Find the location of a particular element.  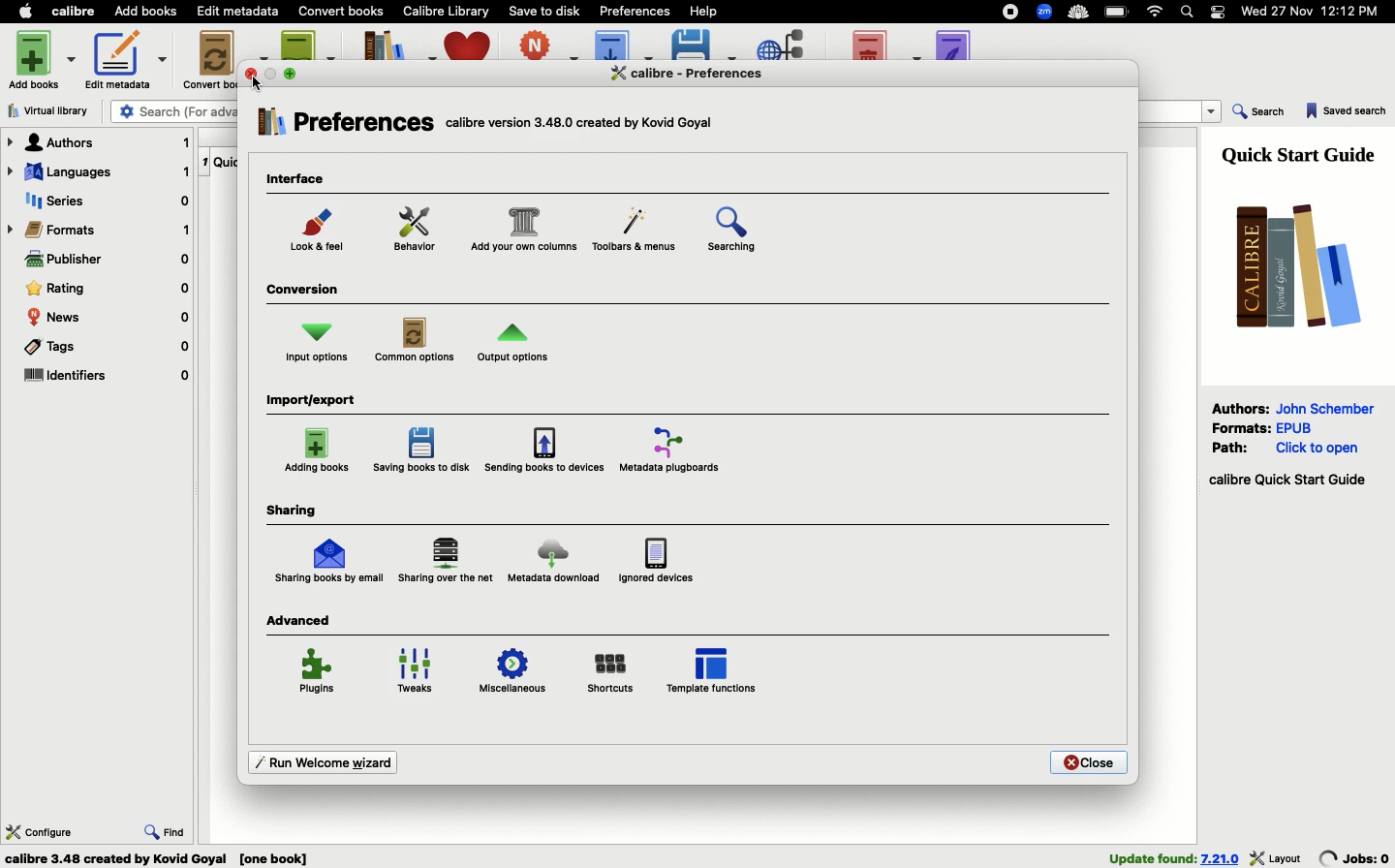

Preferences is located at coordinates (693, 74).